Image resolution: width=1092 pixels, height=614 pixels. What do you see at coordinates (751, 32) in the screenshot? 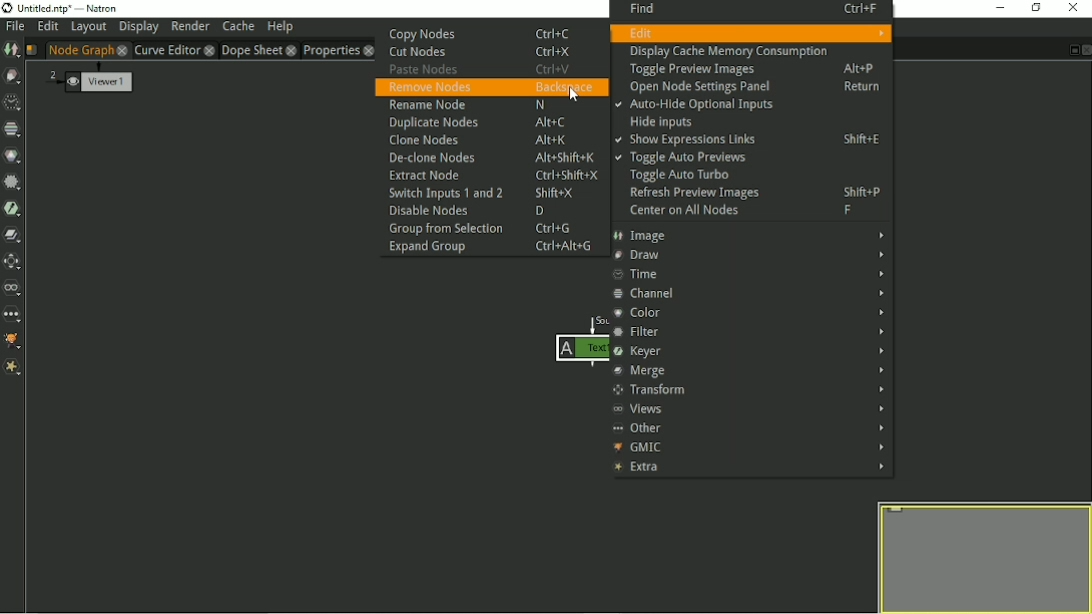
I see `Edit` at bounding box center [751, 32].